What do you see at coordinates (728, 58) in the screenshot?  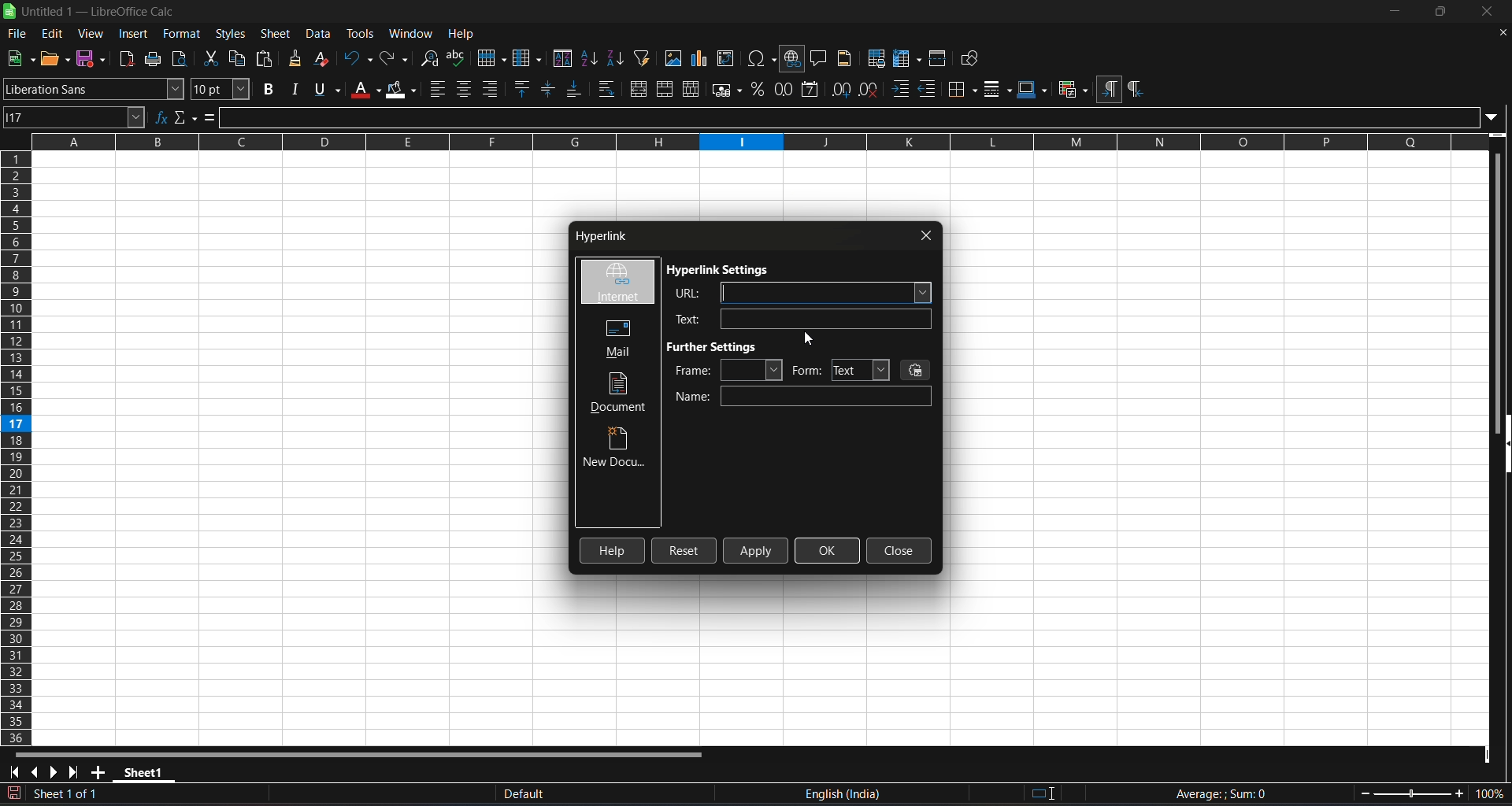 I see `insert or edit pivot table` at bounding box center [728, 58].